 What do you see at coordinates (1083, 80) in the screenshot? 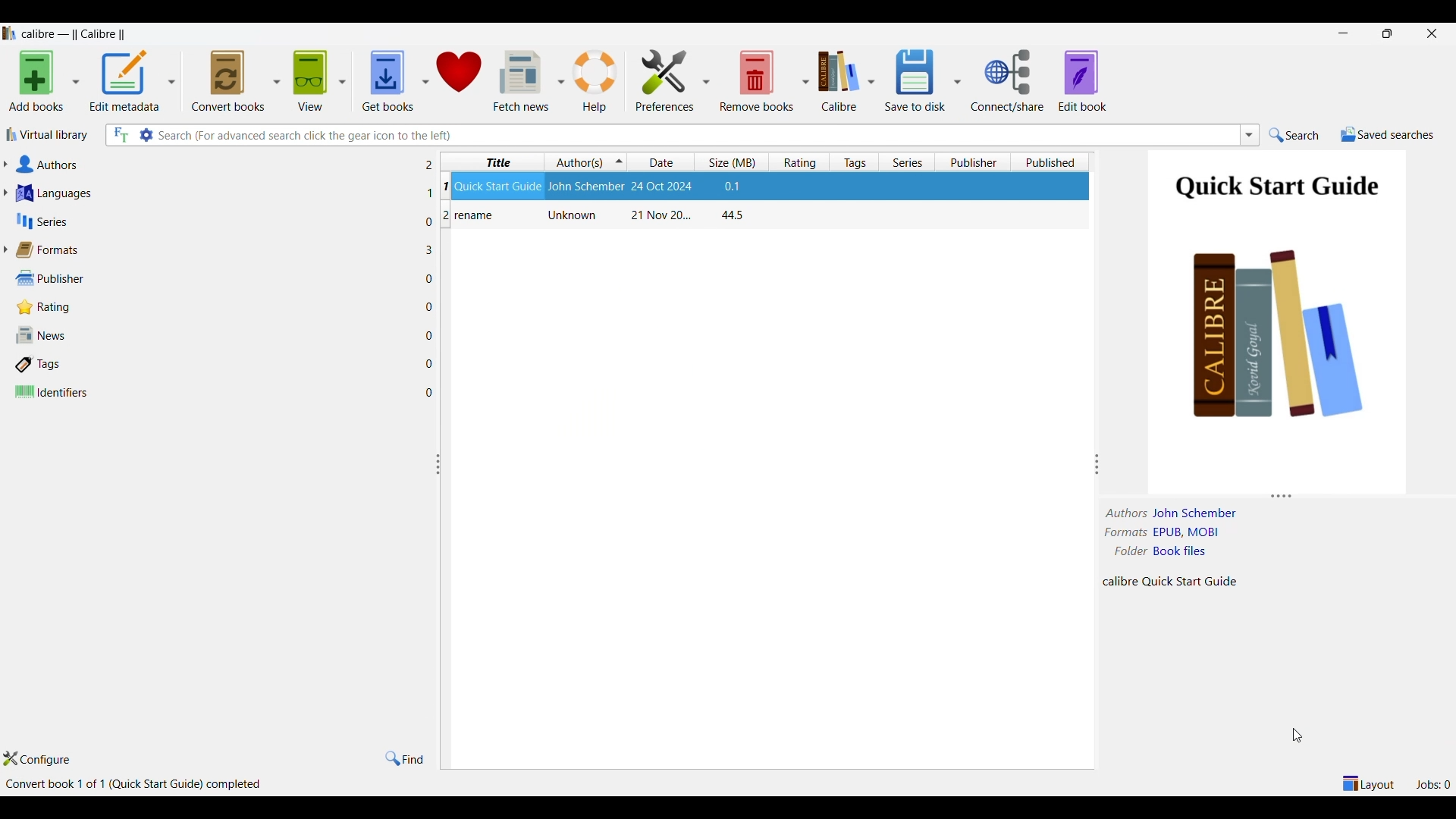
I see `Edit book` at bounding box center [1083, 80].